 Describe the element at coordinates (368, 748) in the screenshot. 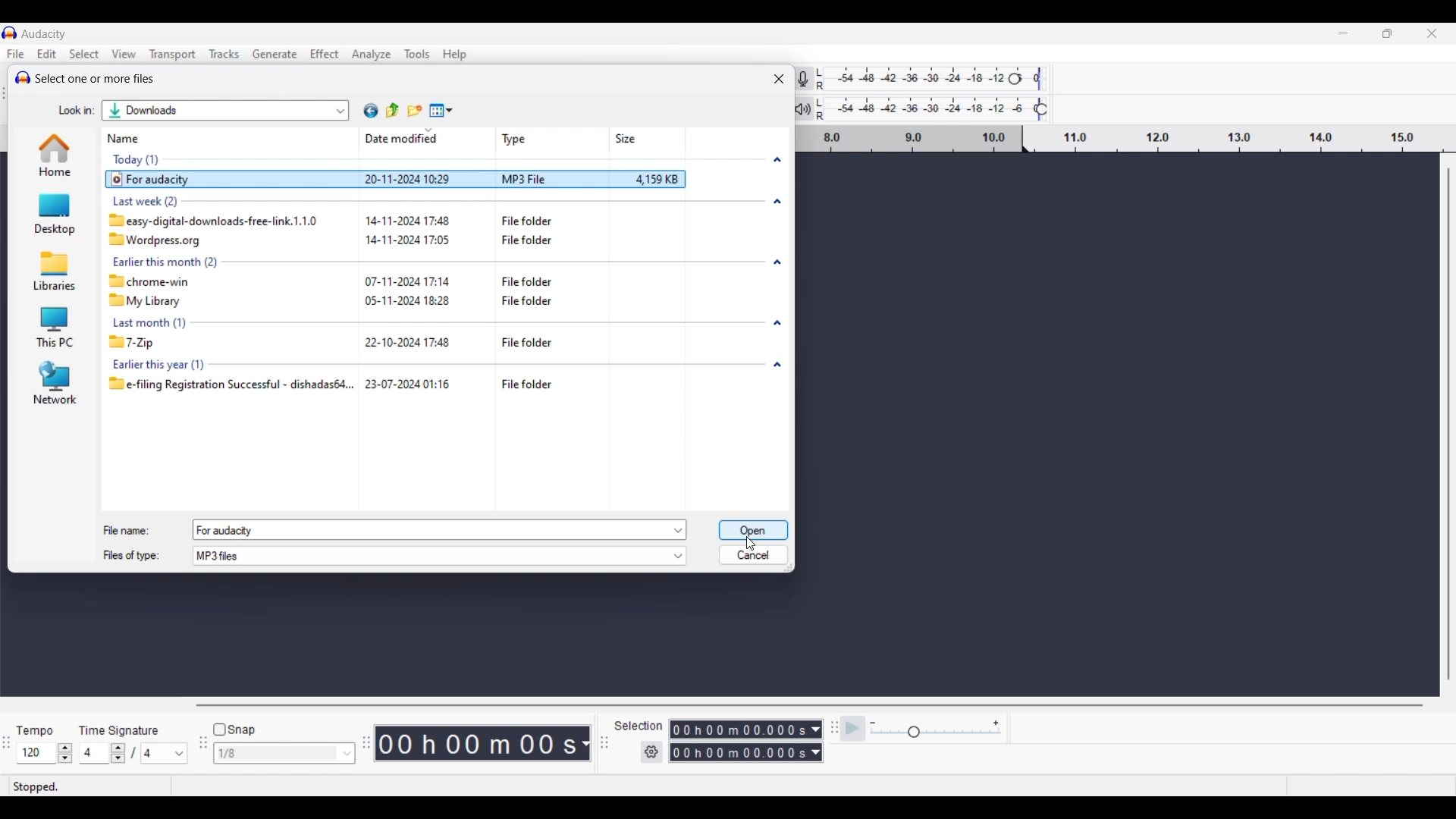

I see `time toolbar` at that location.